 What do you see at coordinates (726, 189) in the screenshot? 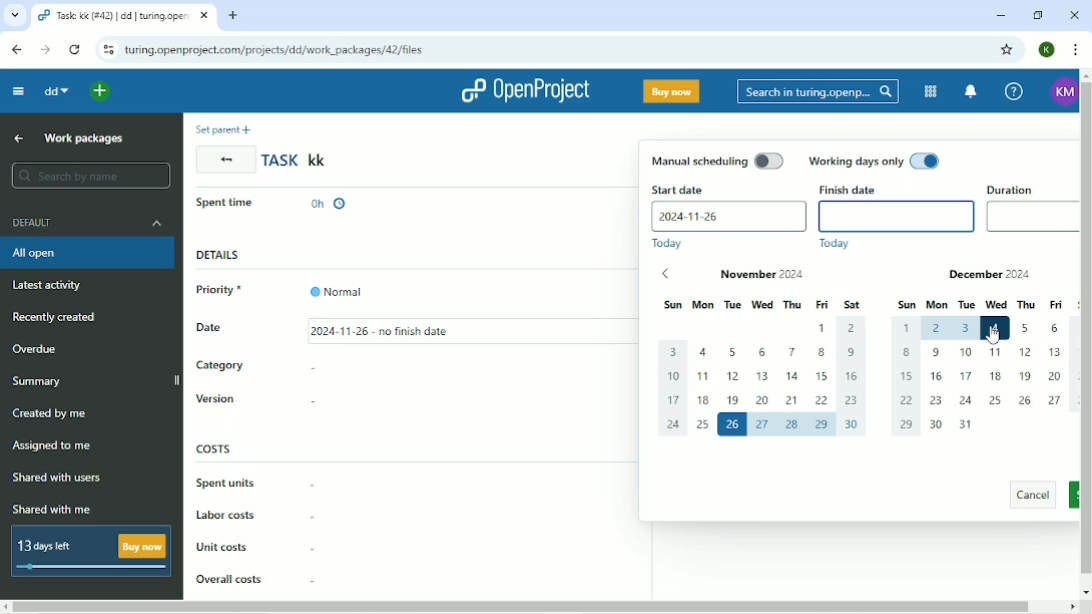
I see `Start date` at bounding box center [726, 189].